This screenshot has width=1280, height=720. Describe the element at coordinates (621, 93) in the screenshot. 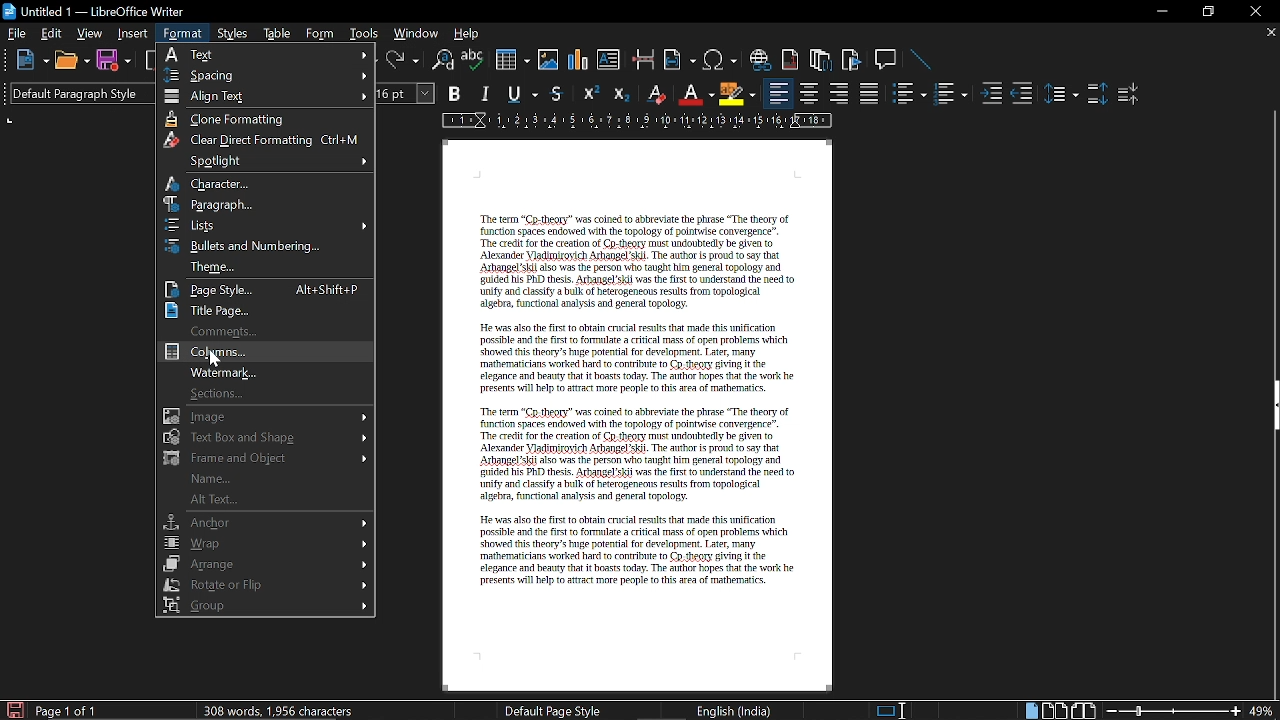

I see `Subscript` at that location.